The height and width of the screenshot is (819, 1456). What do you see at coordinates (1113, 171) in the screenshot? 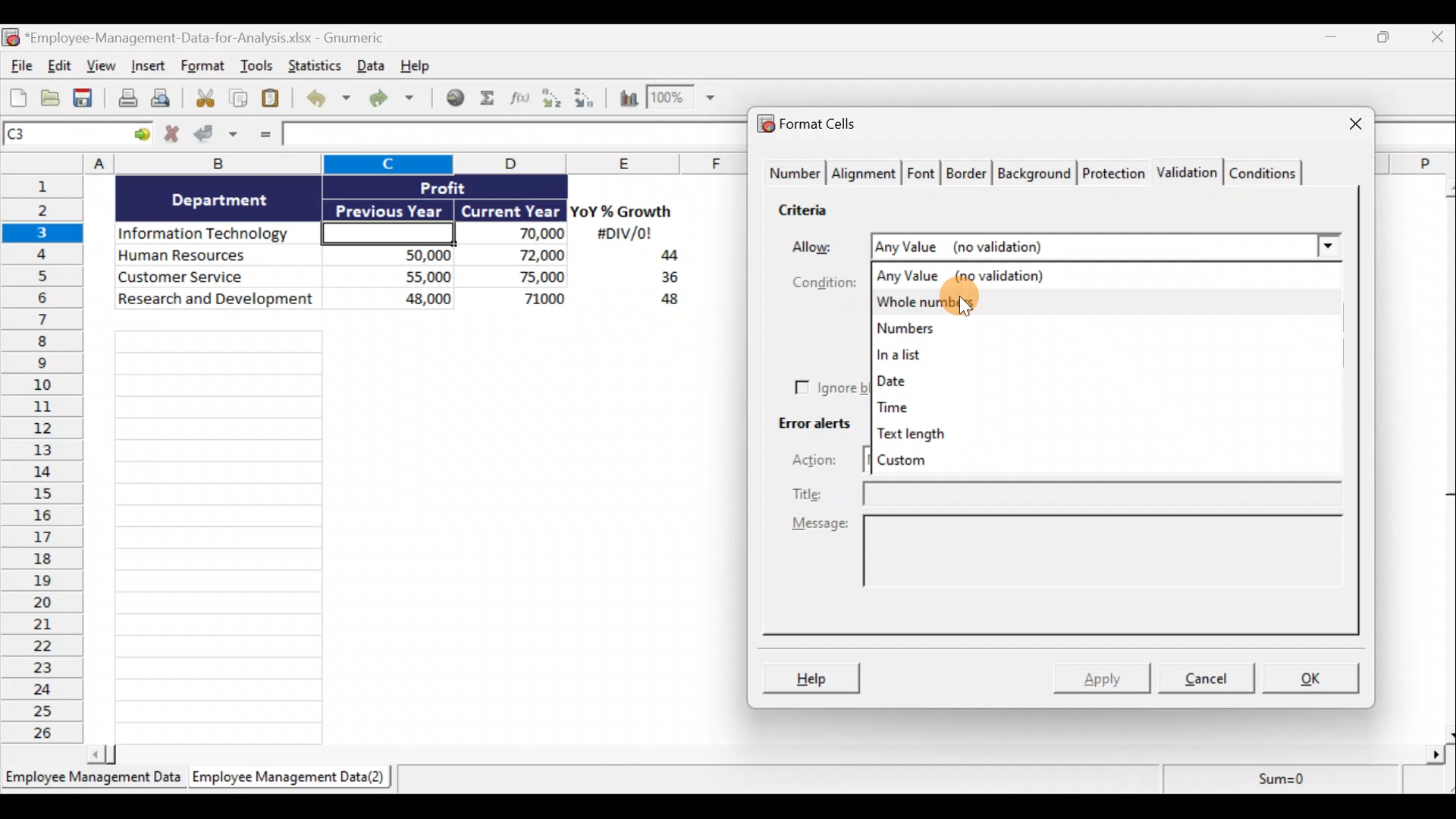
I see `Protection` at bounding box center [1113, 171].